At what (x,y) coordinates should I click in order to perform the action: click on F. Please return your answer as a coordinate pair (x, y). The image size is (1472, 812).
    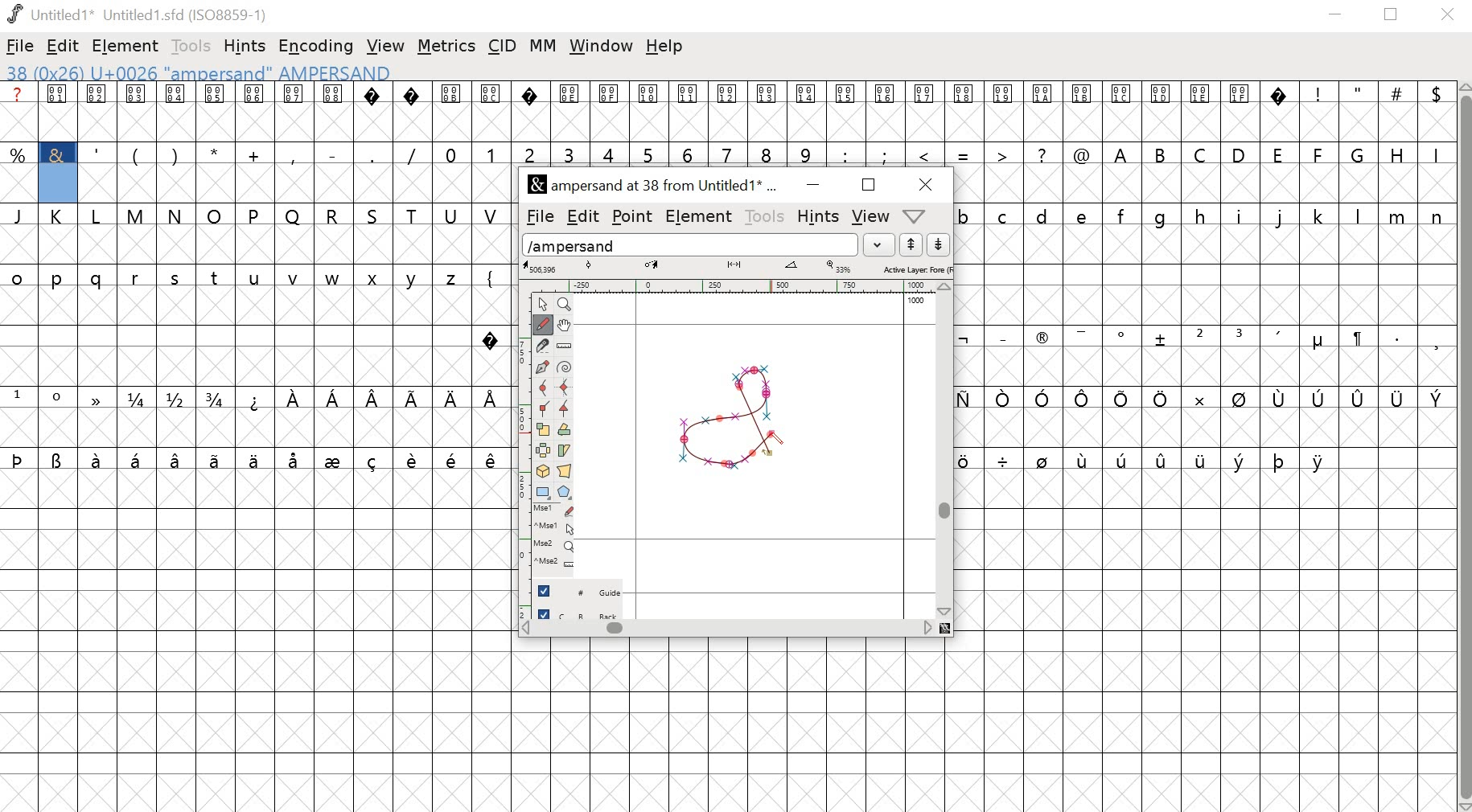
    Looking at the image, I should click on (1320, 154).